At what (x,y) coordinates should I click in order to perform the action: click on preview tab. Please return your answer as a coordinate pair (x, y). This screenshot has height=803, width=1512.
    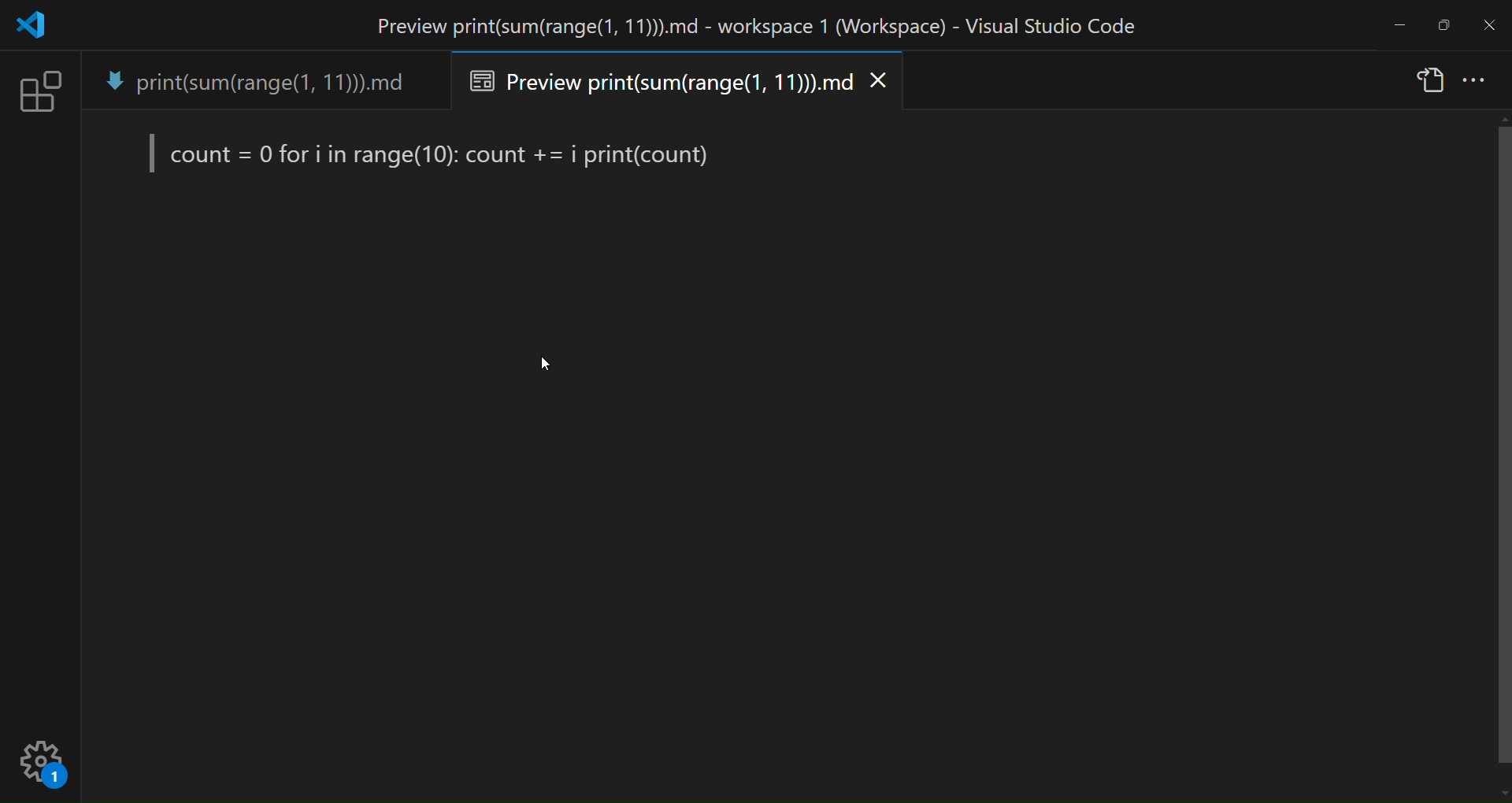
    Looking at the image, I should click on (657, 83).